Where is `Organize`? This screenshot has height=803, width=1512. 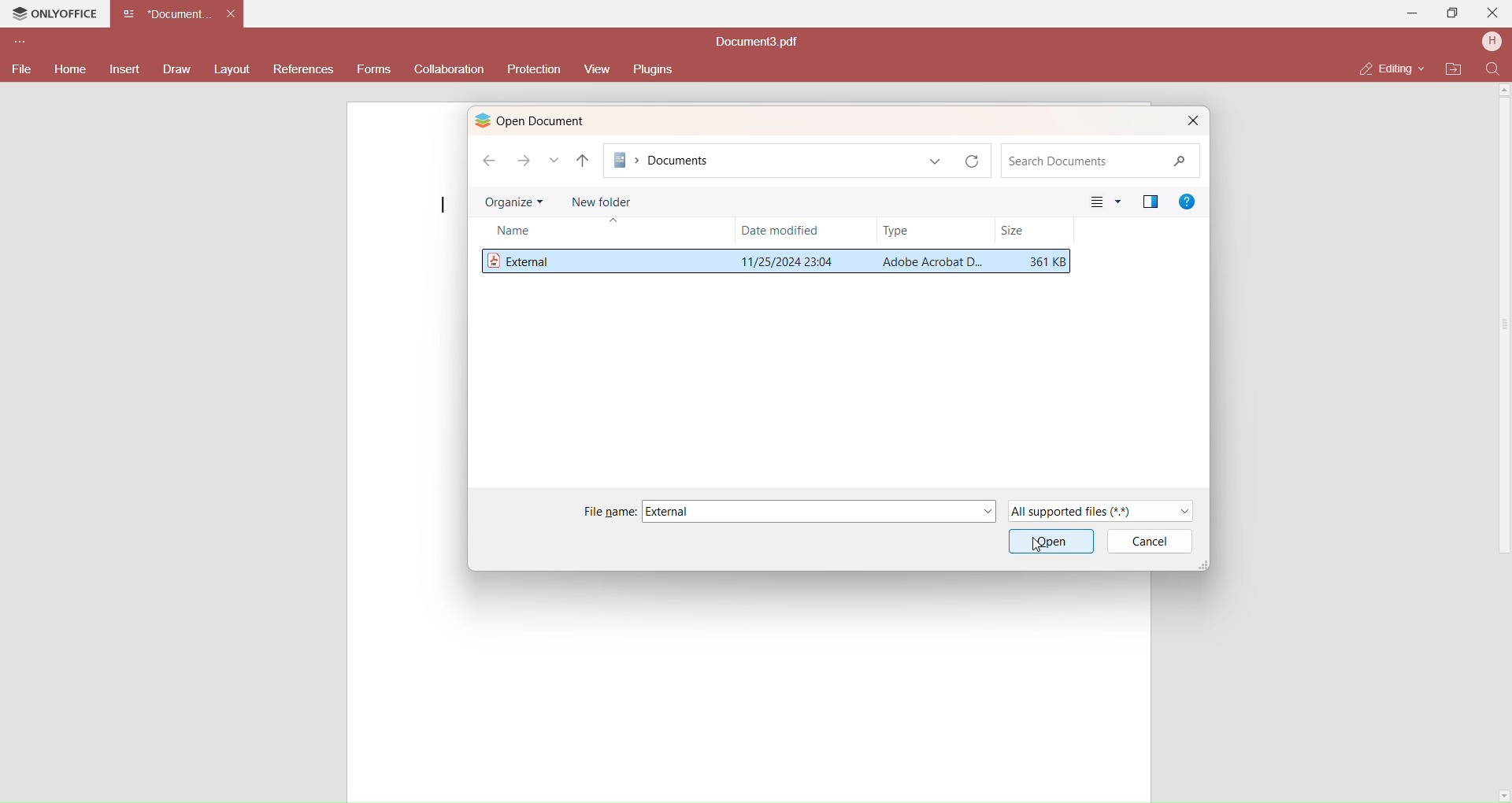 Organize is located at coordinates (513, 202).